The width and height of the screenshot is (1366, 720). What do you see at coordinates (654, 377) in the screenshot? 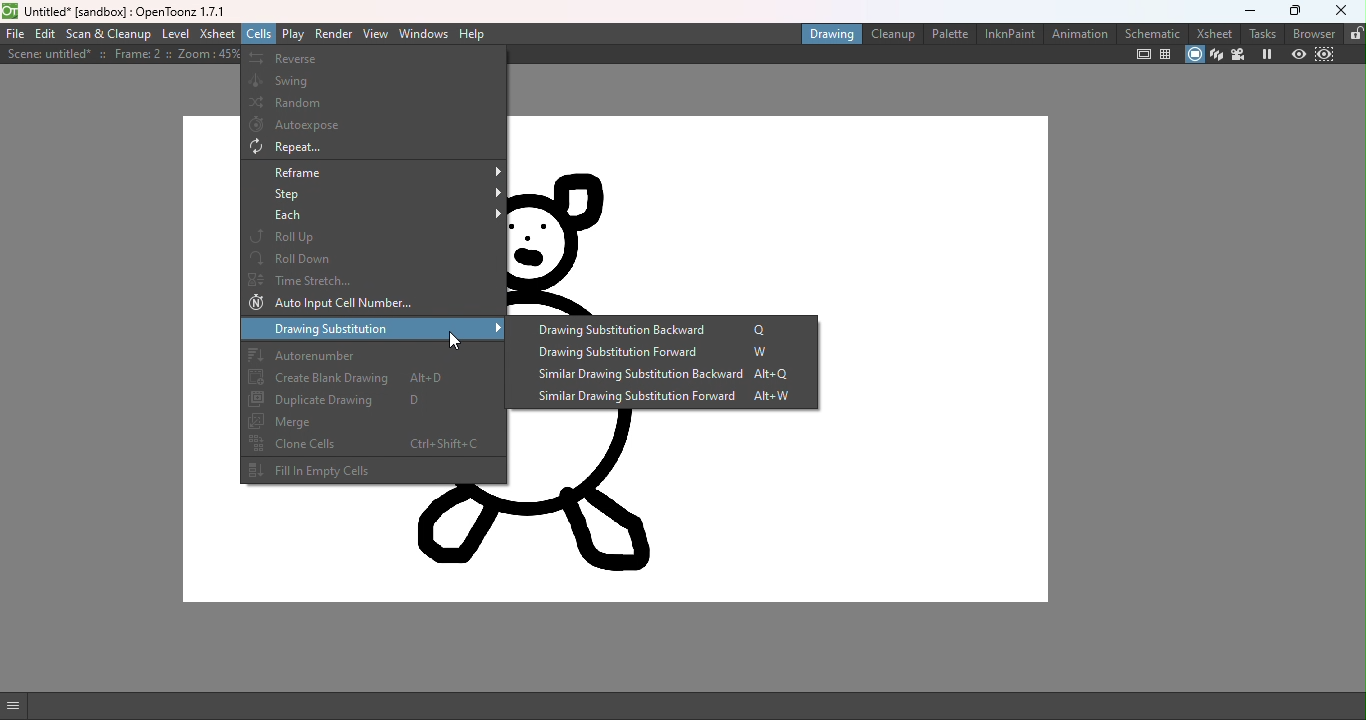
I see `Similar drawing substitution backward` at bounding box center [654, 377].